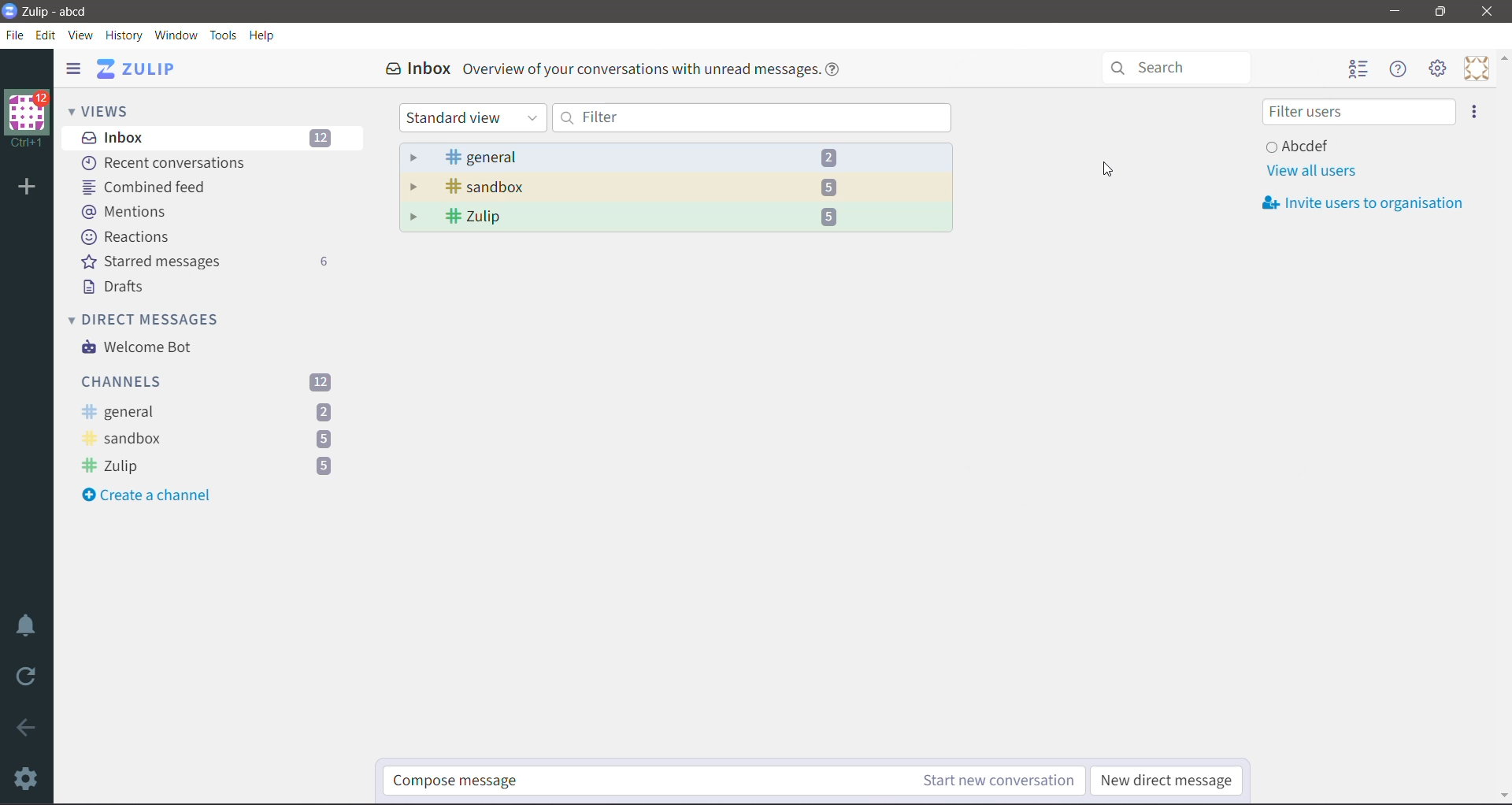  What do you see at coordinates (1475, 69) in the screenshot?
I see `Personal Menu` at bounding box center [1475, 69].